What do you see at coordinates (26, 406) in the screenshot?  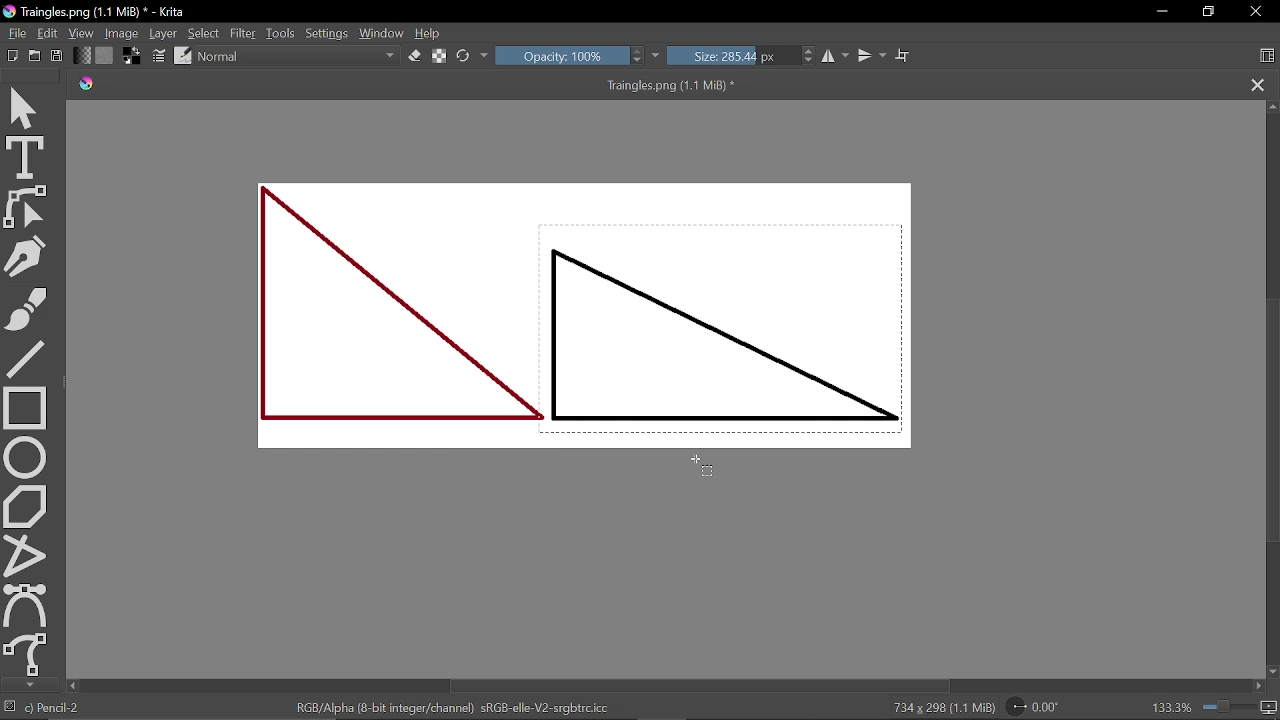 I see `rectangle tool` at bounding box center [26, 406].